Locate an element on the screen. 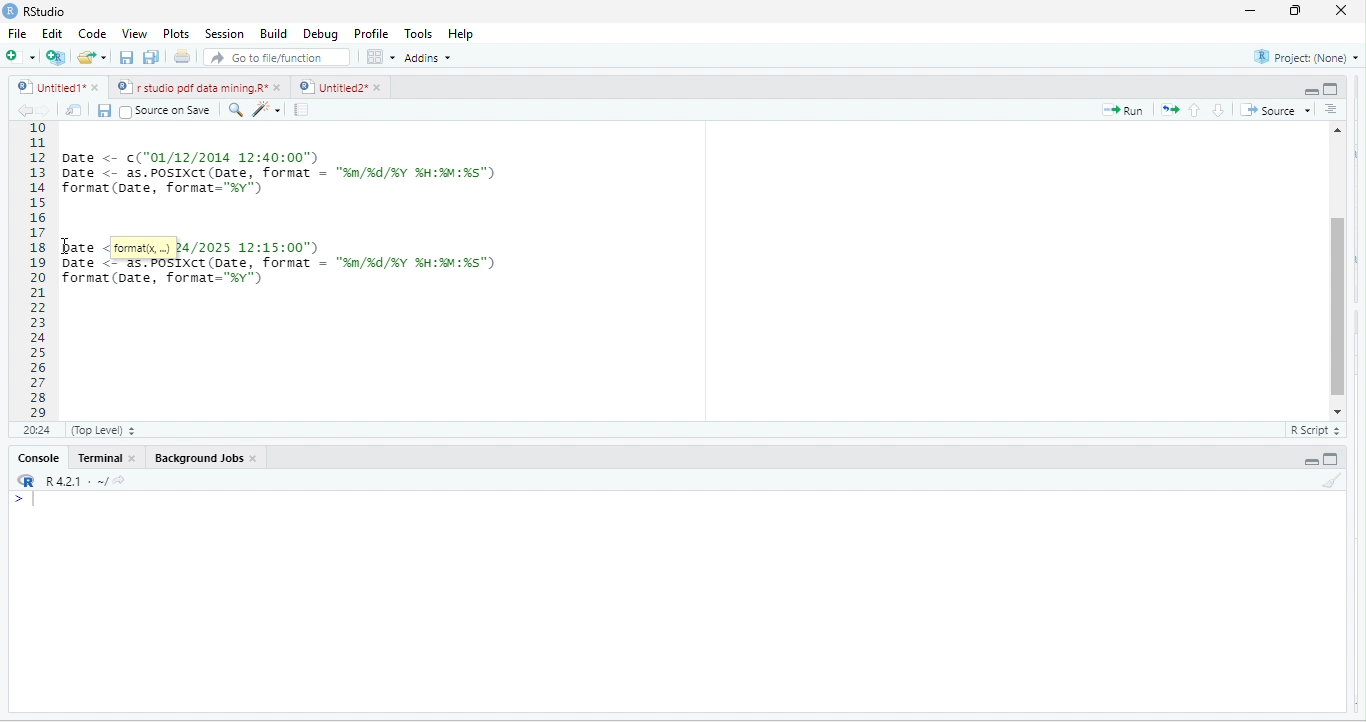  (Top Level)  is located at coordinates (100, 433).